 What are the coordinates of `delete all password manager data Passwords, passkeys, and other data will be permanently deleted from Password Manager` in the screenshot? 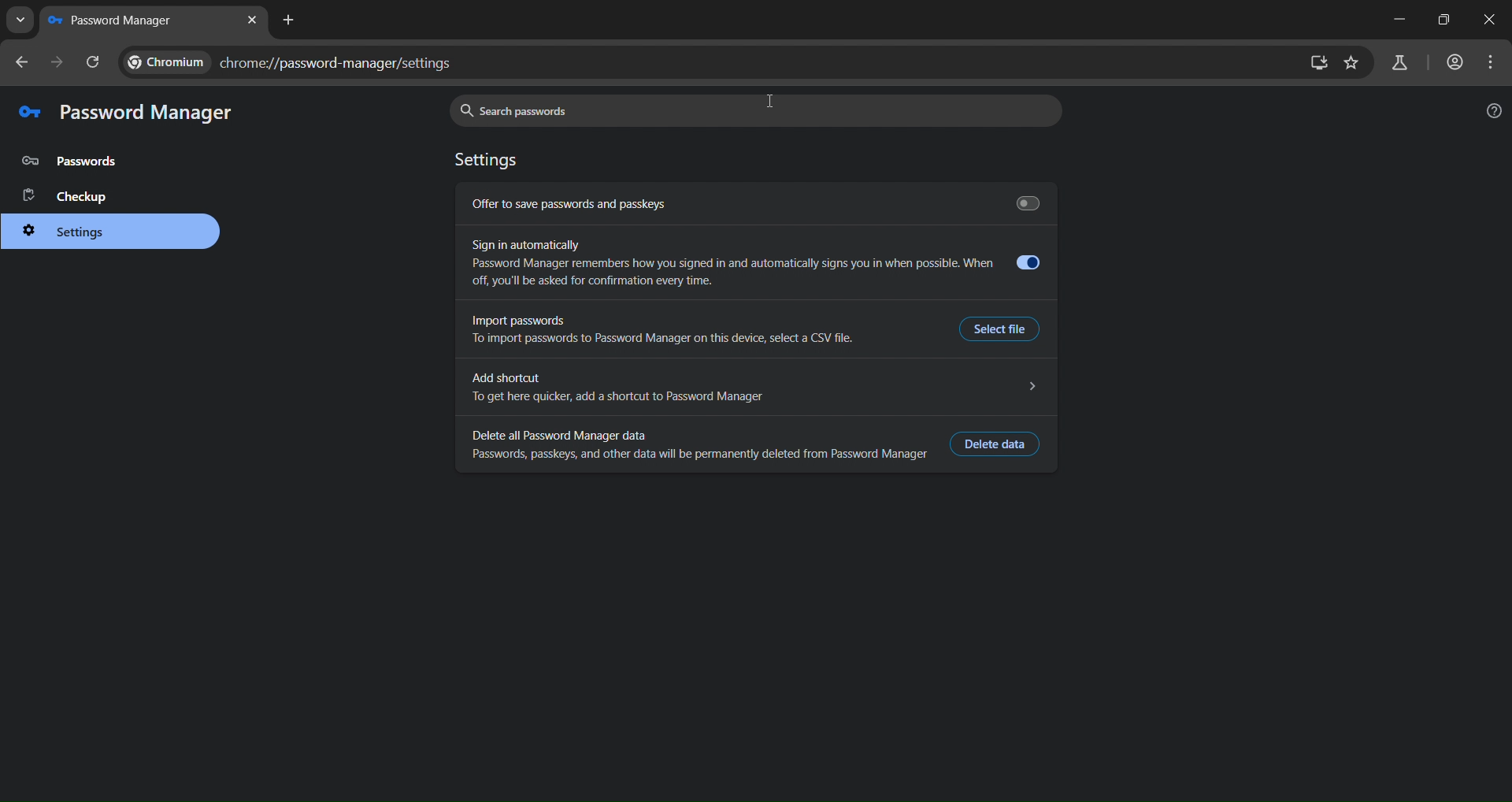 It's located at (695, 440).